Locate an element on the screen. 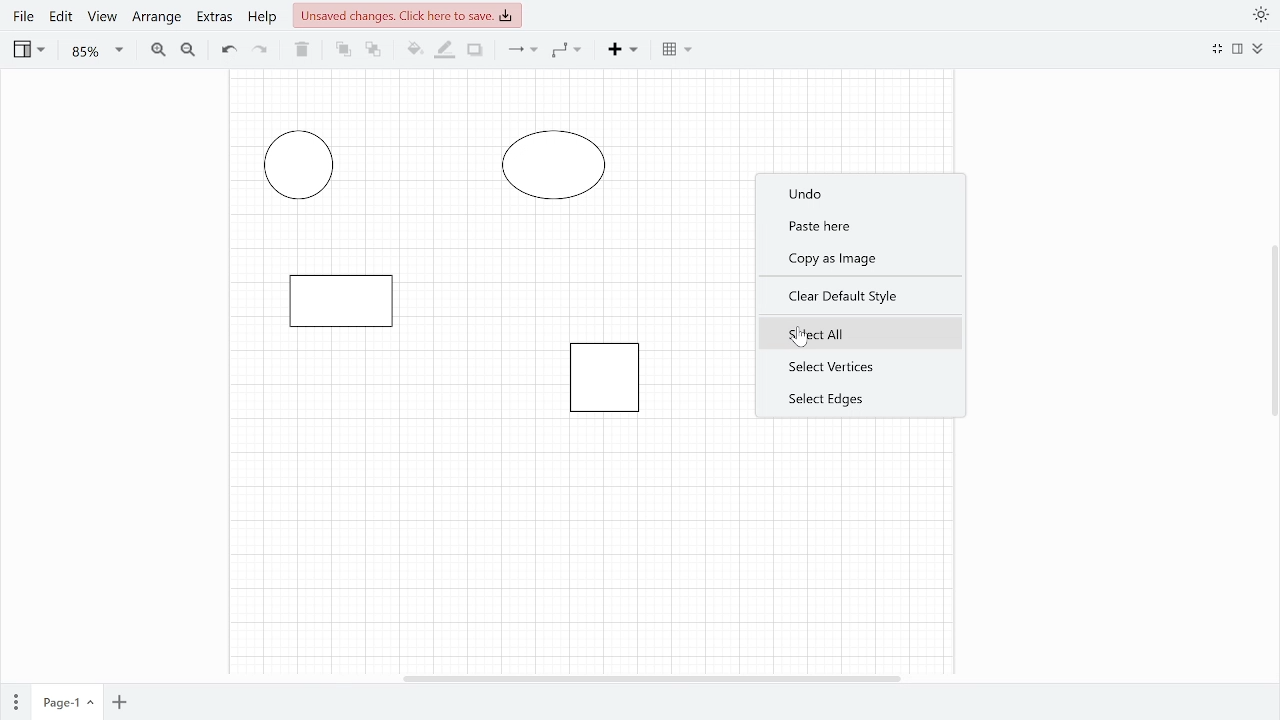  To back is located at coordinates (372, 49).